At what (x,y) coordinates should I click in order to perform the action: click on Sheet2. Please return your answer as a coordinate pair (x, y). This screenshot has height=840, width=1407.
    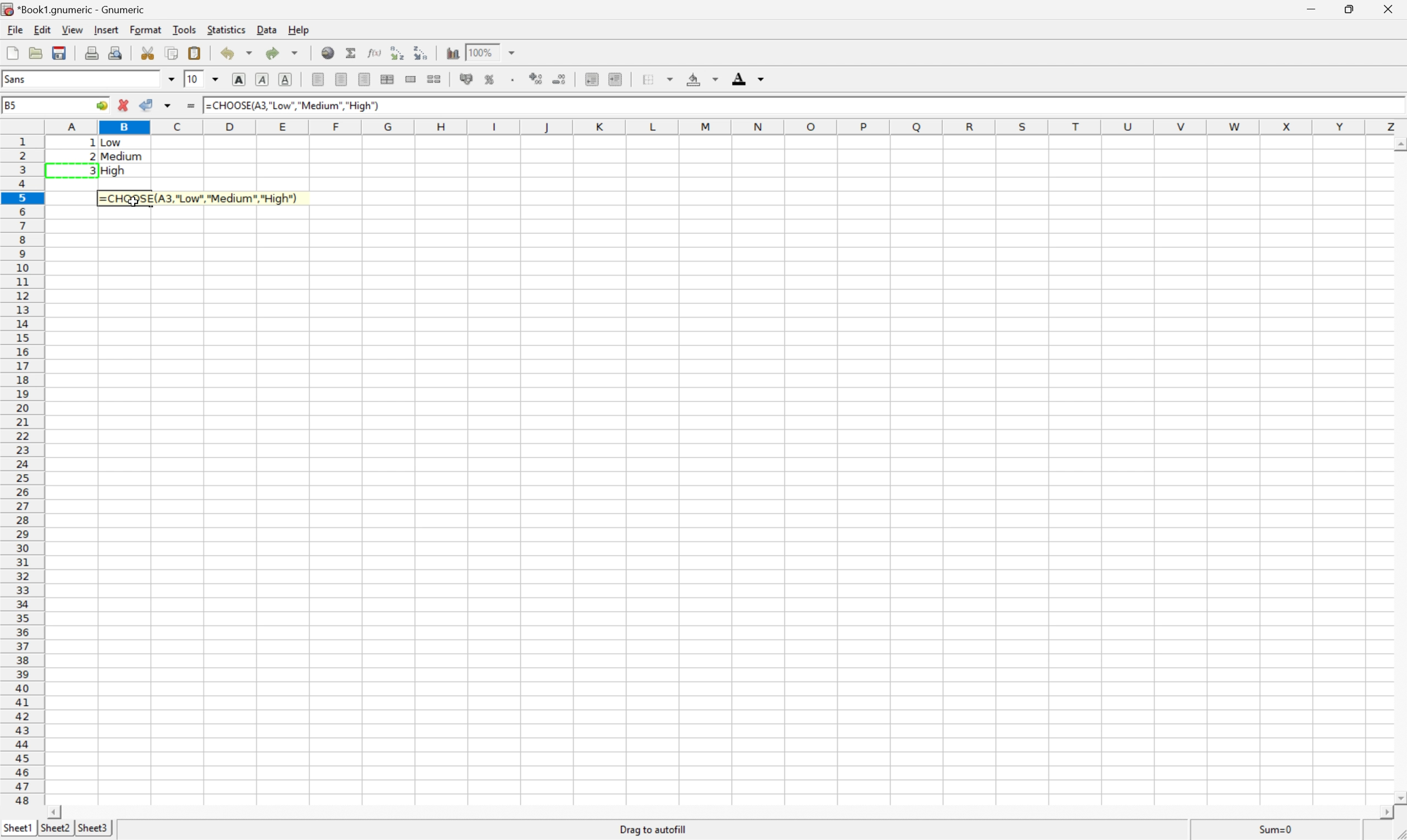
    Looking at the image, I should click on (55, 828).